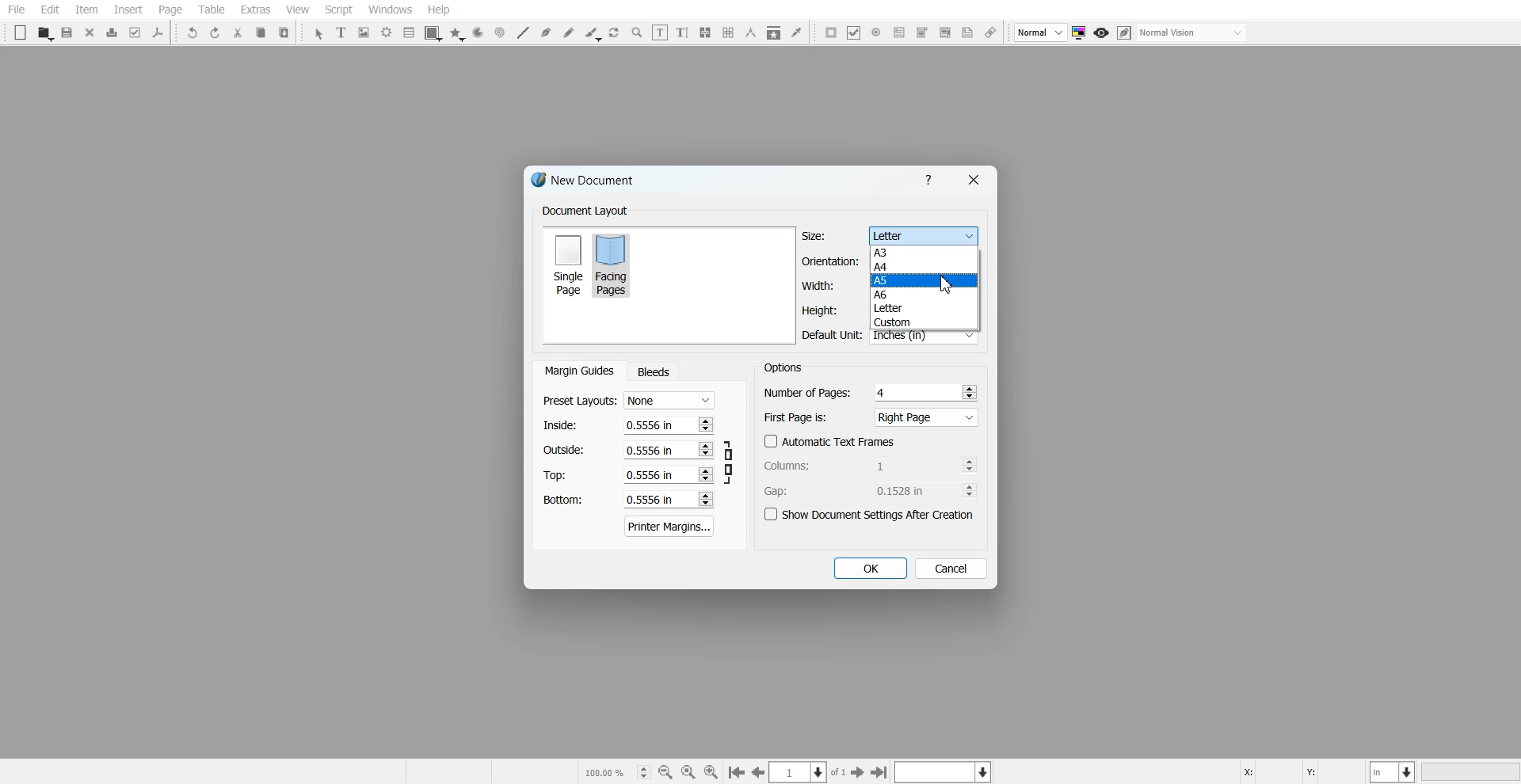 The width and height of the screenshot is (1521, 784). I want to click on Single Page, so click(567, 264).